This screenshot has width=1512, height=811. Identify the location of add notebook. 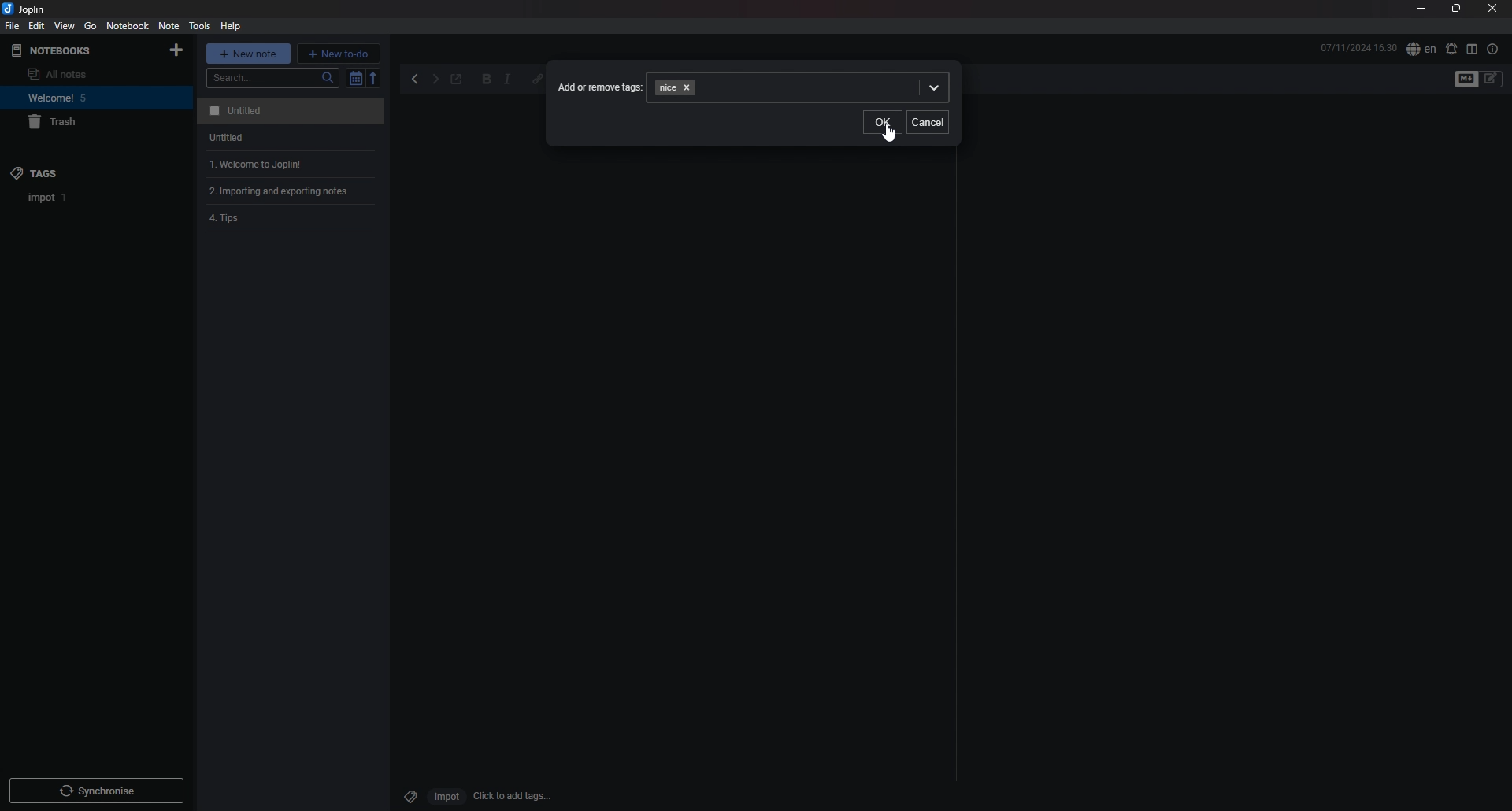
(176, 50).